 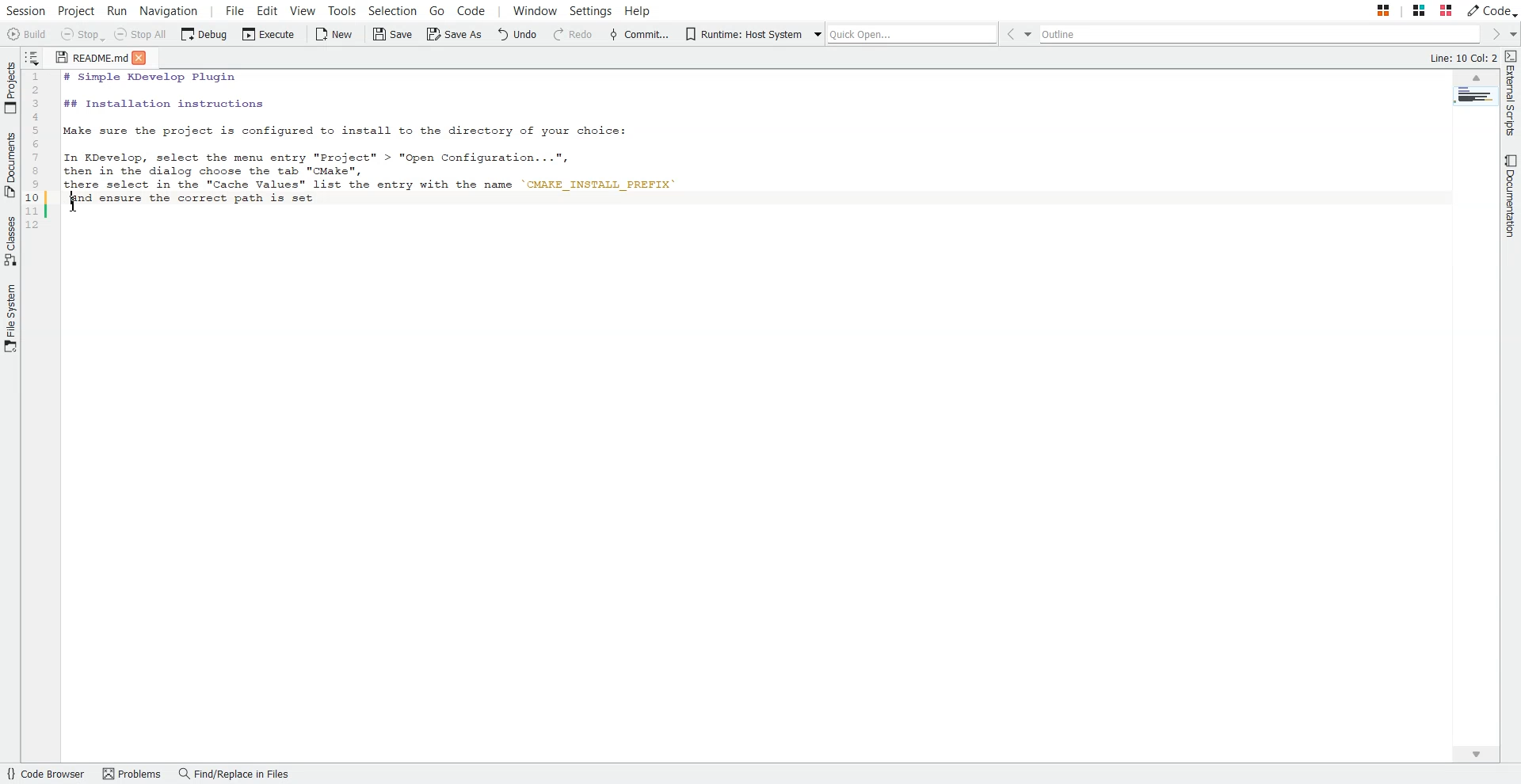 I want to click on Page Overview, so click(x=1475, y=96).